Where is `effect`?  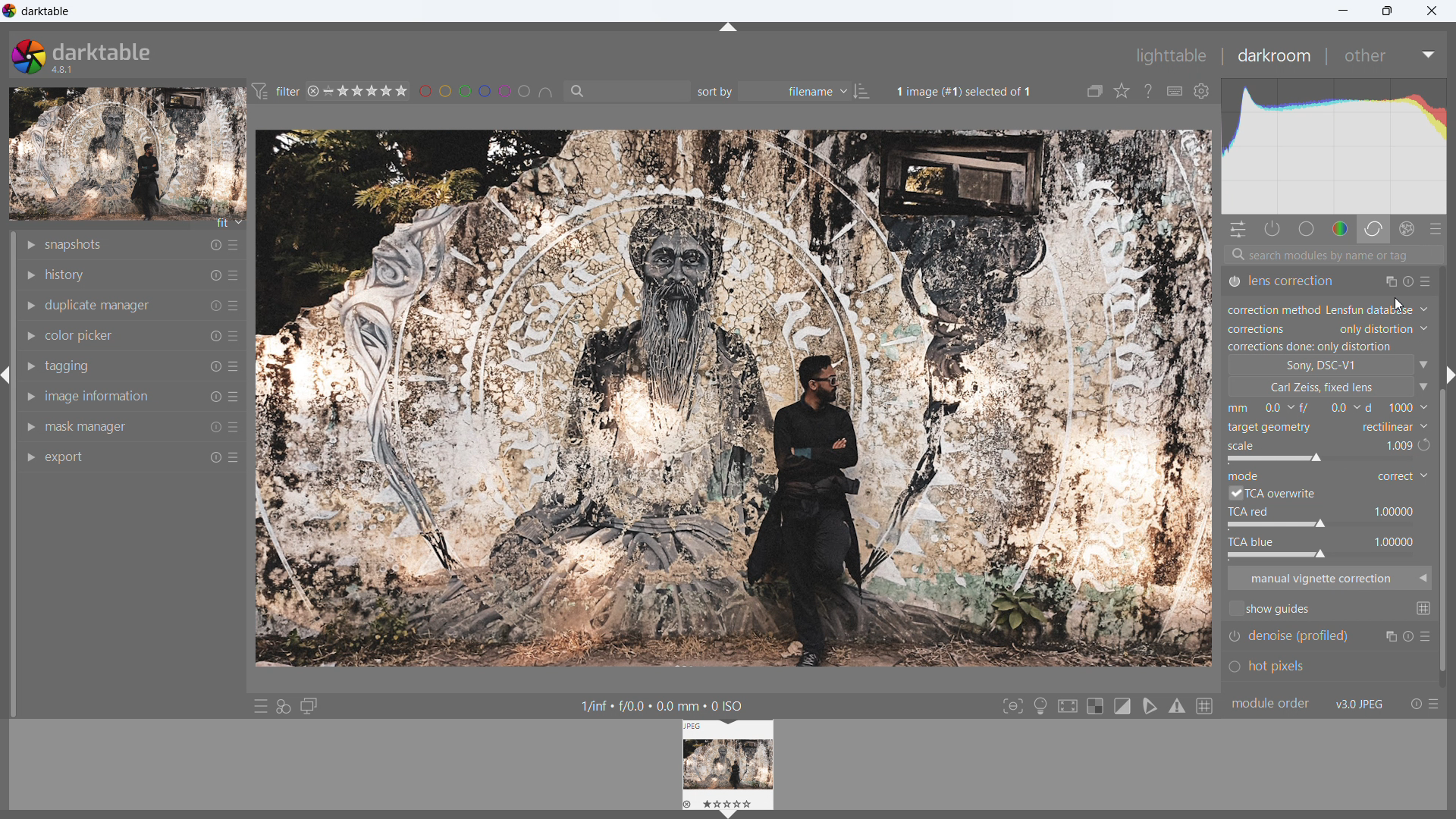 effect is located at coordinates (1407, 229).